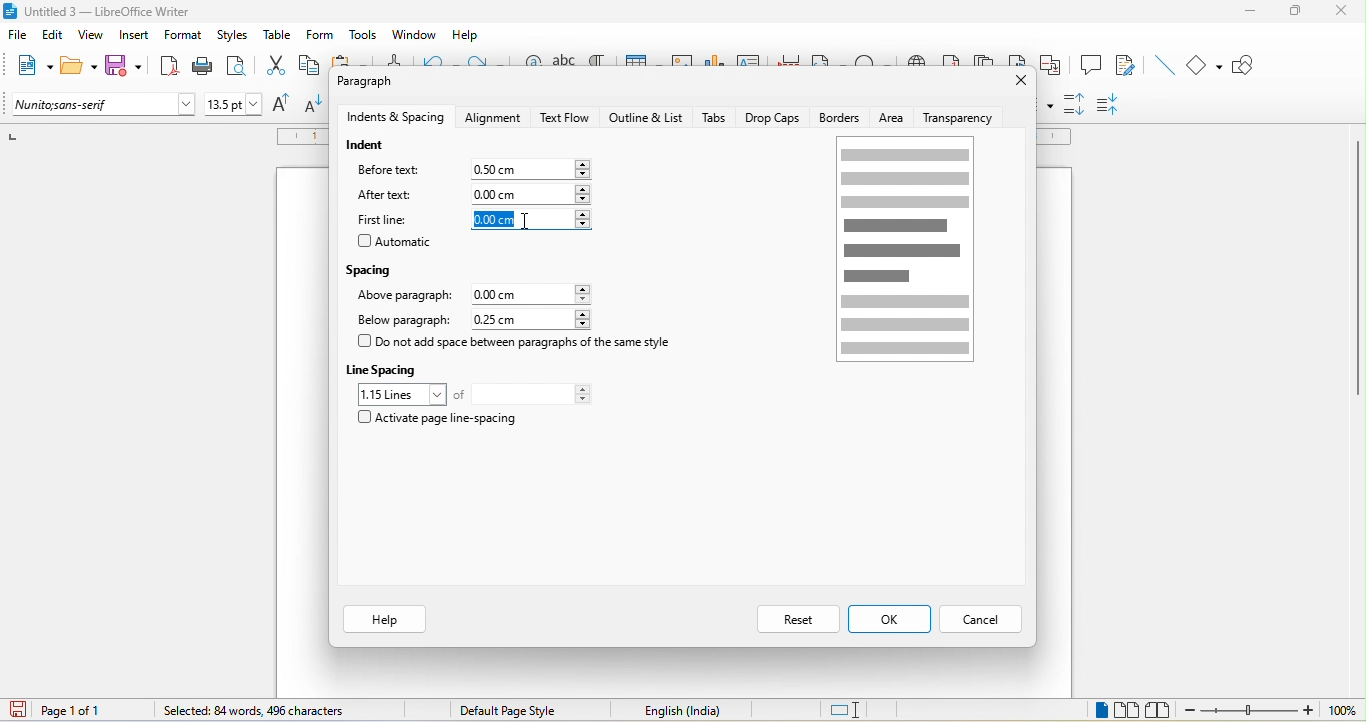  Describe the element at coordinates (892, 118) in the screenshot. I see `area` at that location.